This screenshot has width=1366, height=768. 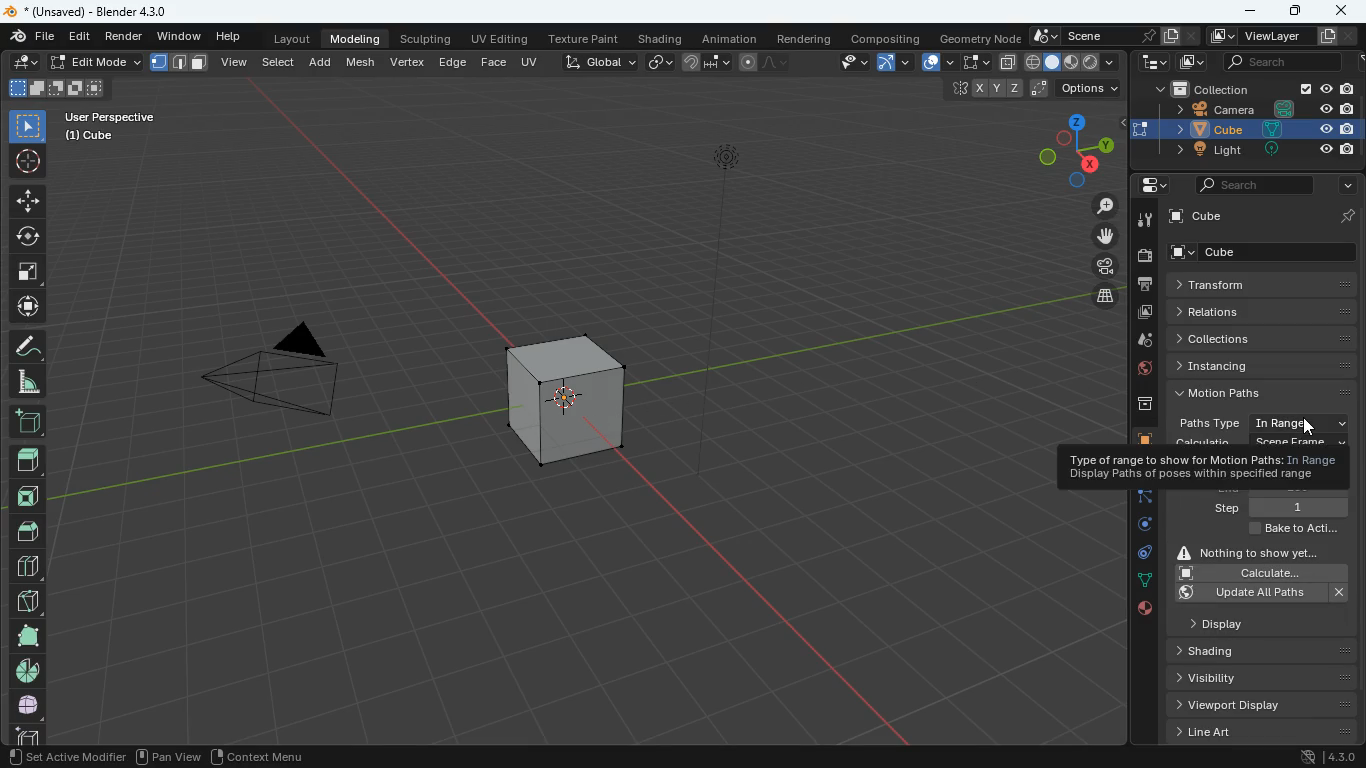 I want to click on cube, so click(x=1265, y=215).